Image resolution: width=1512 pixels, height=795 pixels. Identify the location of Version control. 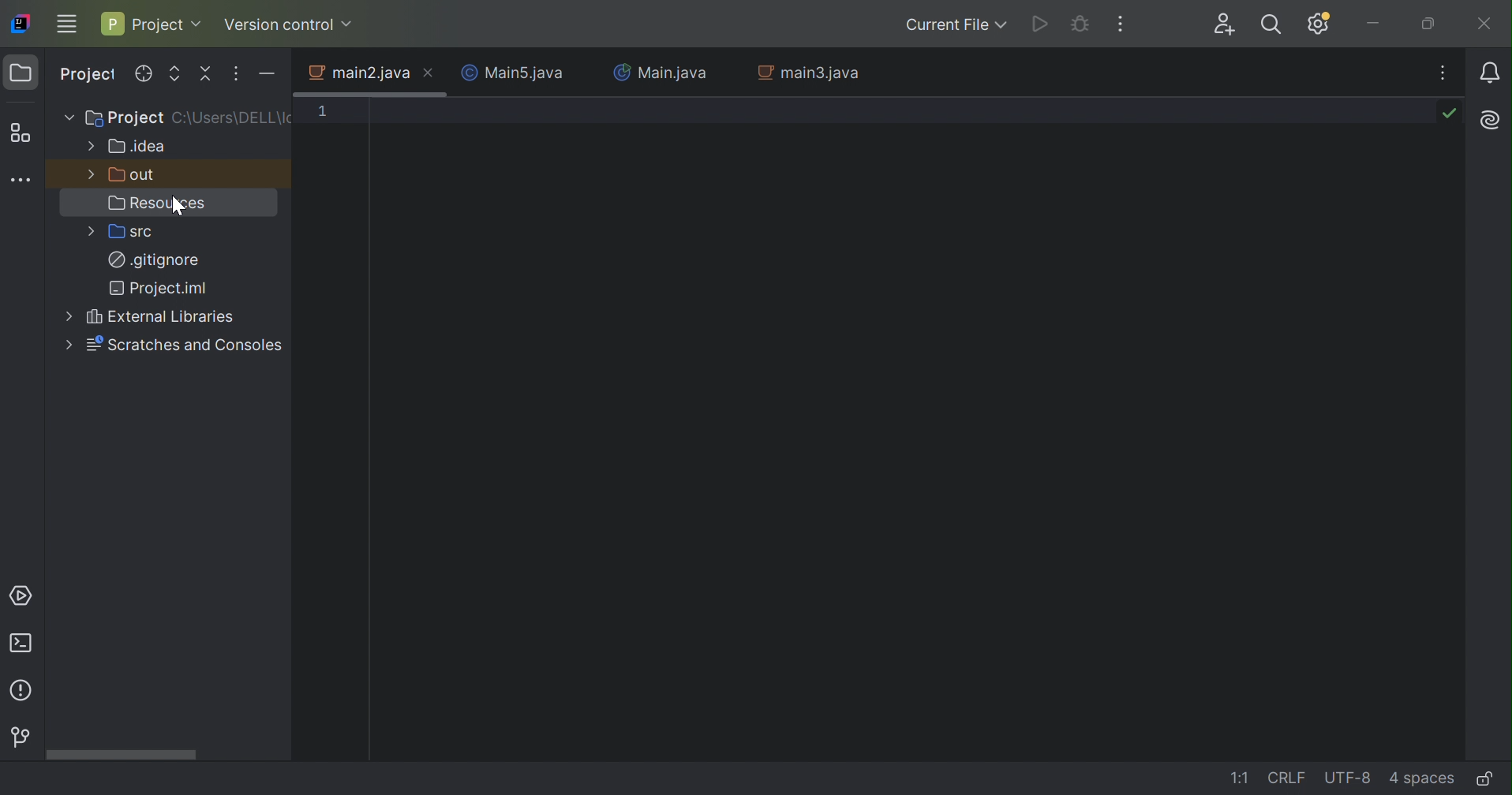
(18, 737).